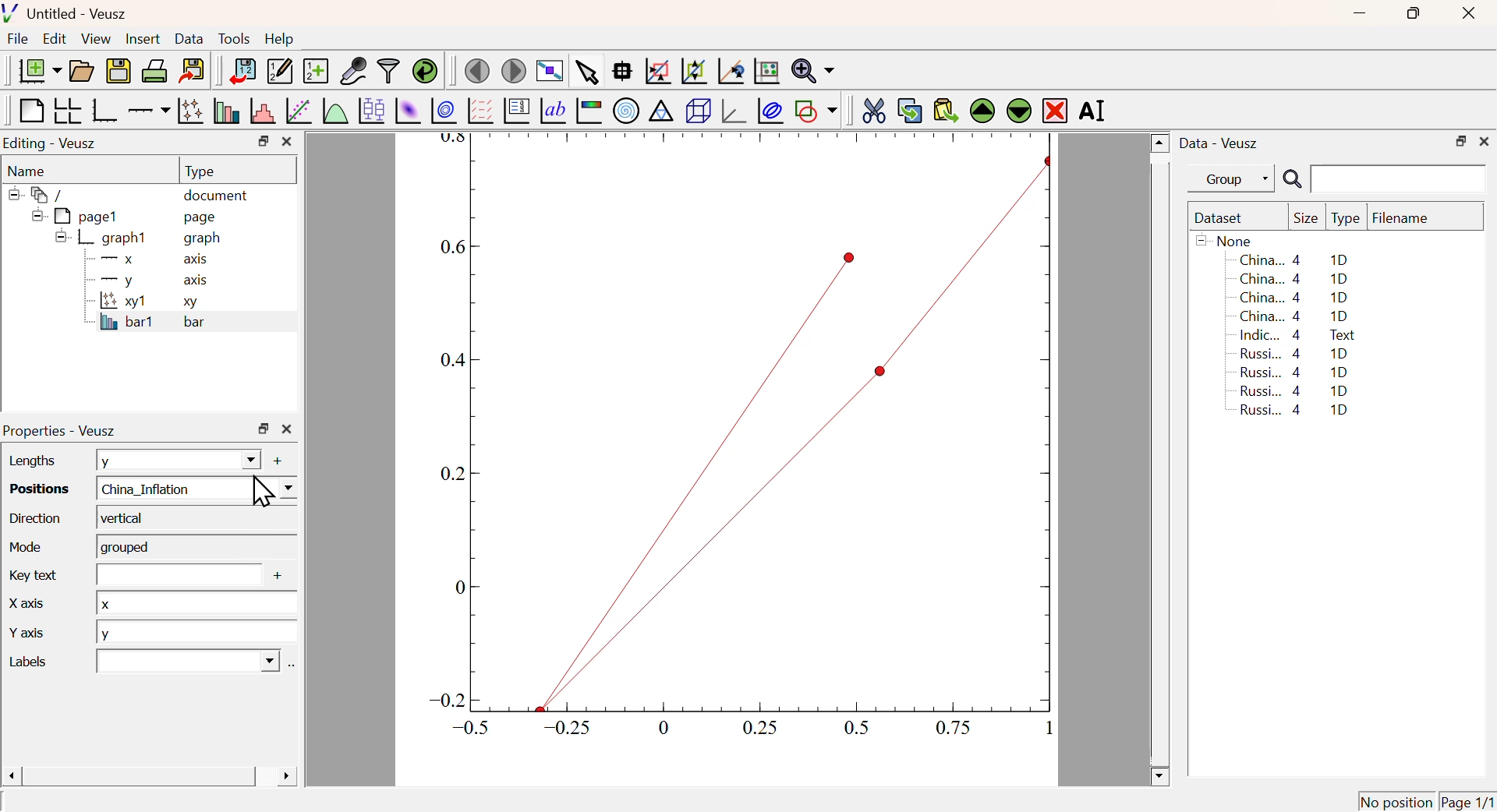  I want to click on Restore Down, so click(263, 141).